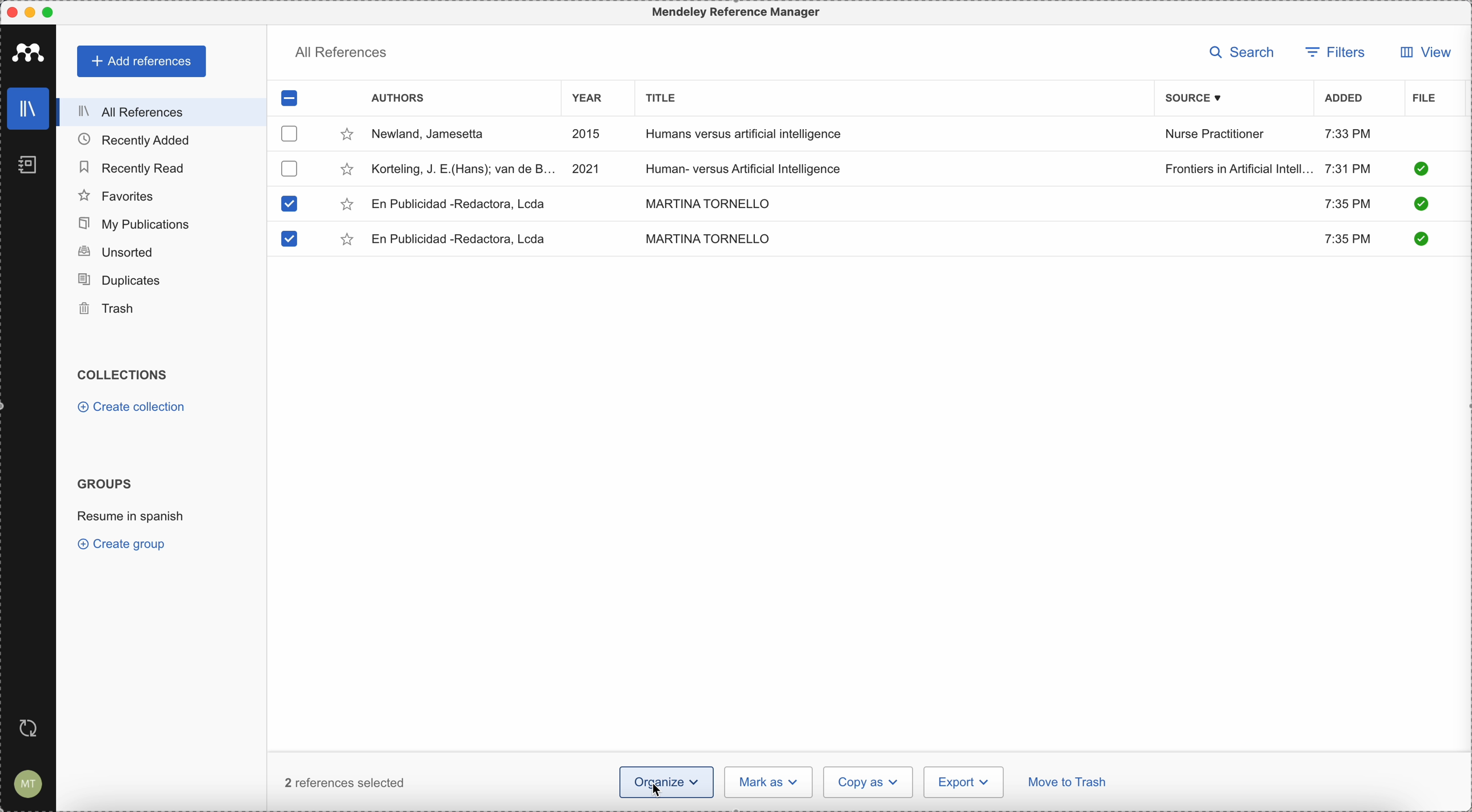 The width and height of the screenshot is (1472, 812). Describe the element at coordinates (963, 782) in the screenshot. I see `export` at that location.